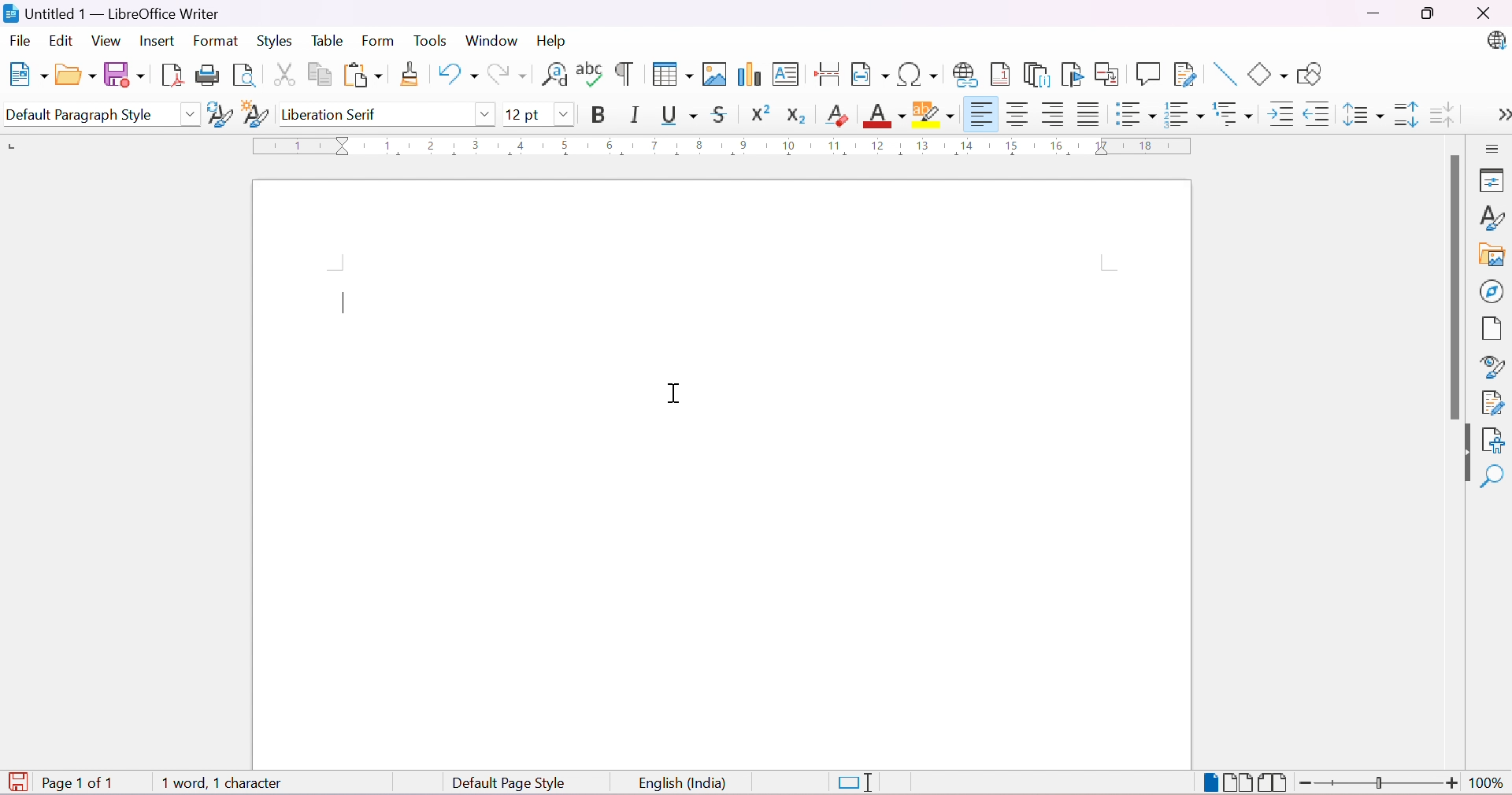 The image size is (1512, 795). What do you see at coordinates (683, 784) in the screenshot?
I see `English (India)` at bounding box center [683, 784].